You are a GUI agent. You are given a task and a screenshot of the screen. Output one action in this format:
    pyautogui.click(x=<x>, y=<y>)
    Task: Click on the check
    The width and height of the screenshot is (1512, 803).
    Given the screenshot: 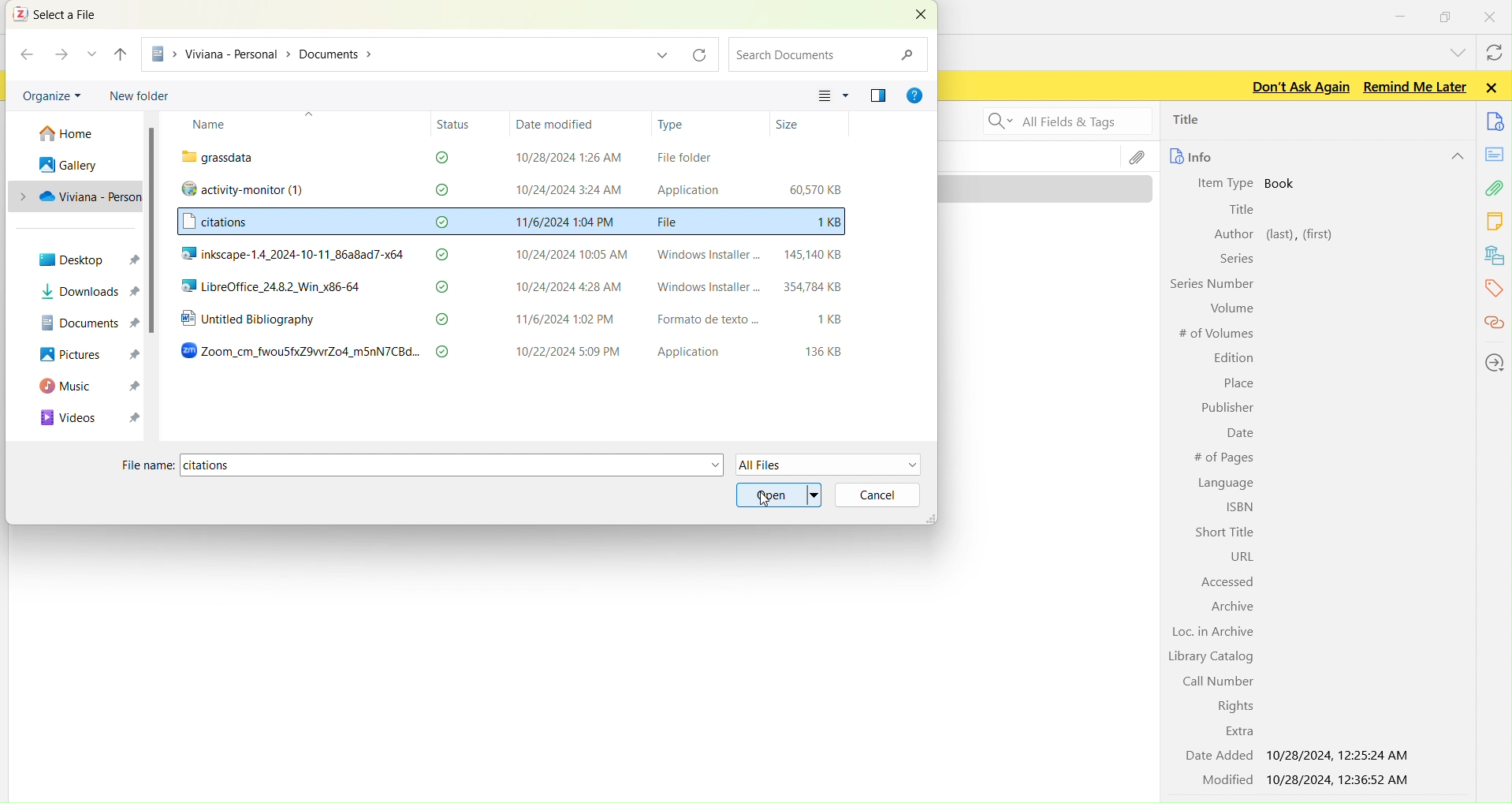 What is the action you would take?
    pyautogui.click(x=441, y=319)
    